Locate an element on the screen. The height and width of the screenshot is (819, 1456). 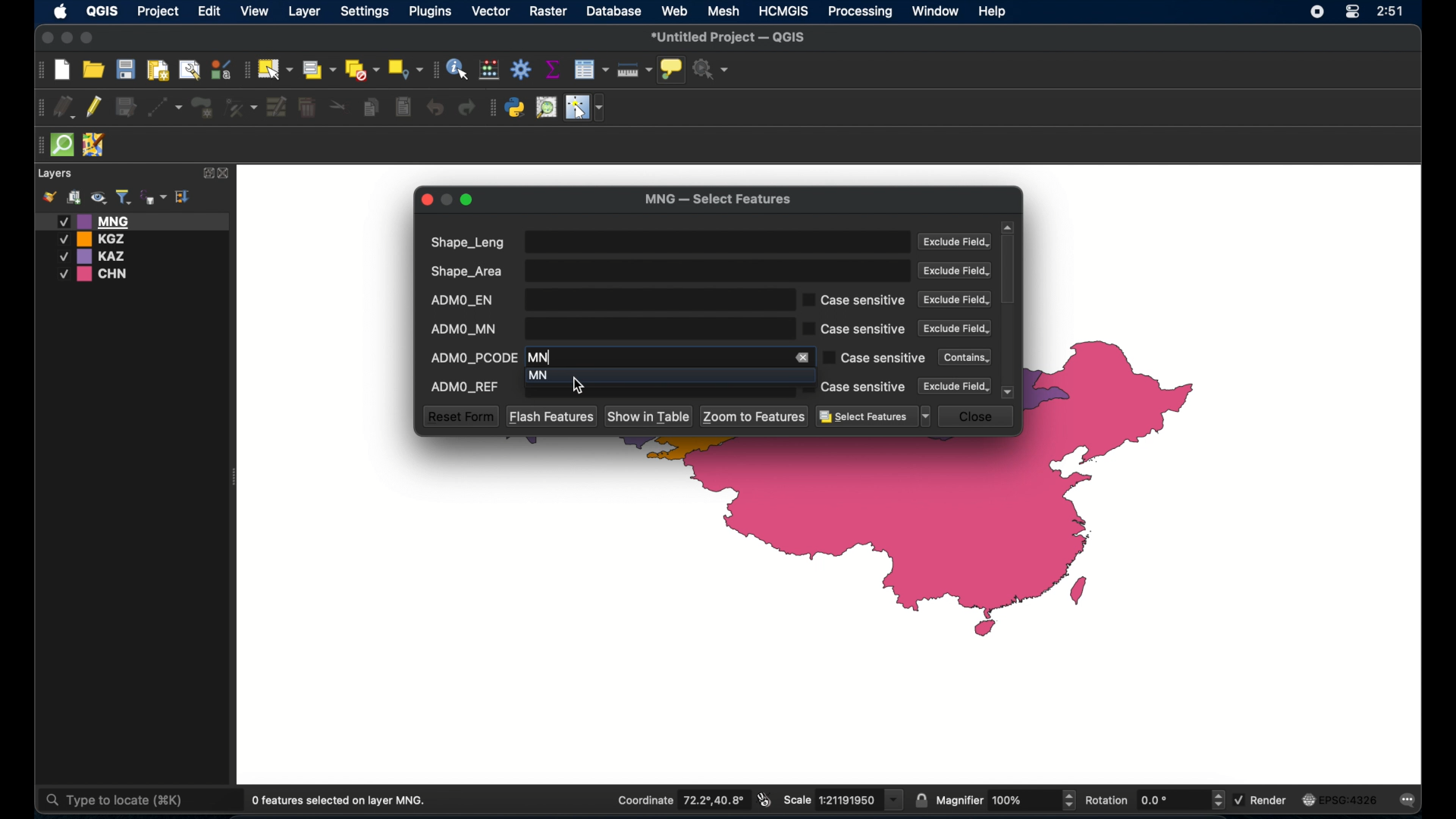
remove is located at coordinates (805, 358).